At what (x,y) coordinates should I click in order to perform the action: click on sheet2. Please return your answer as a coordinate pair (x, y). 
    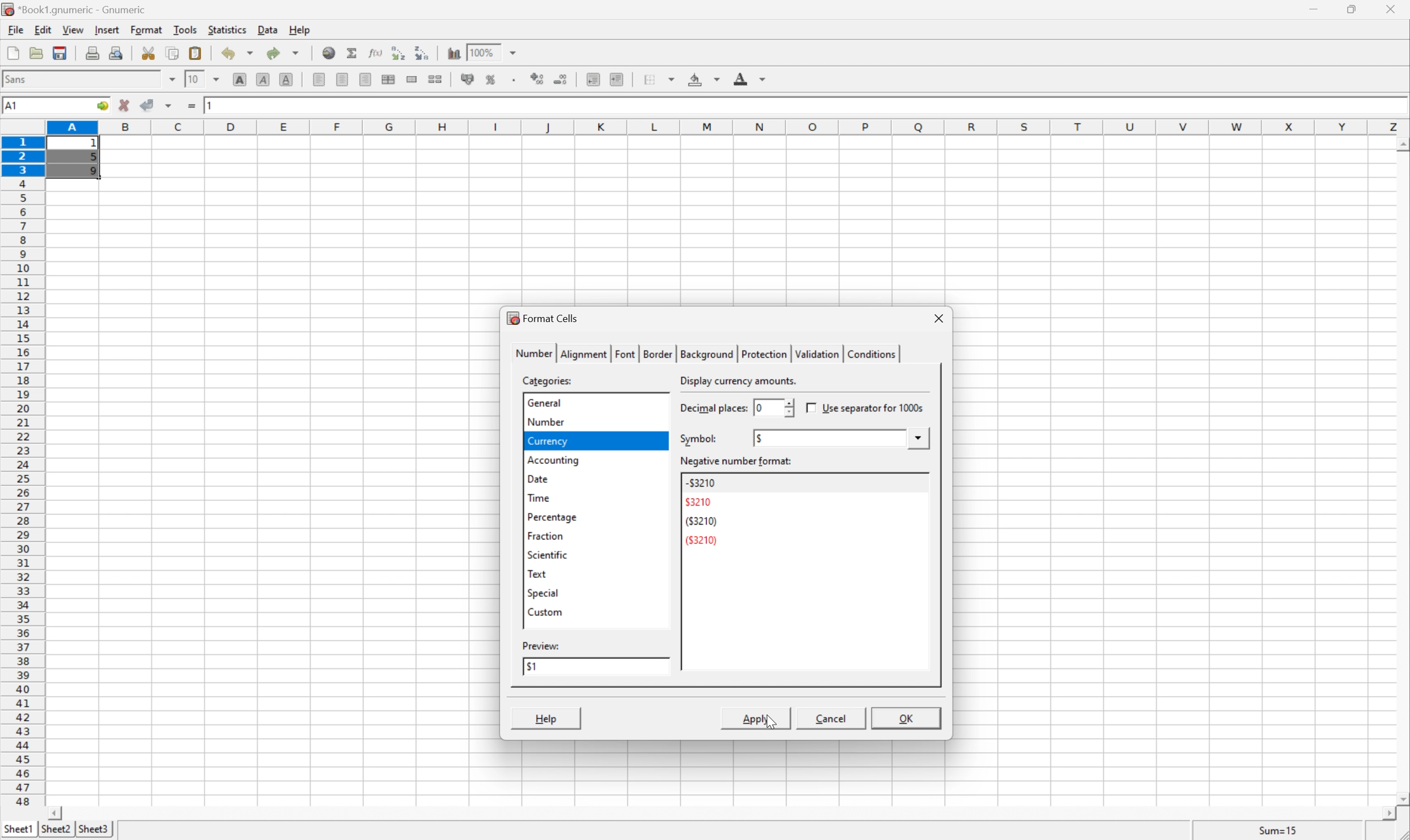
    Looking at the image, I should click on (55, 832).